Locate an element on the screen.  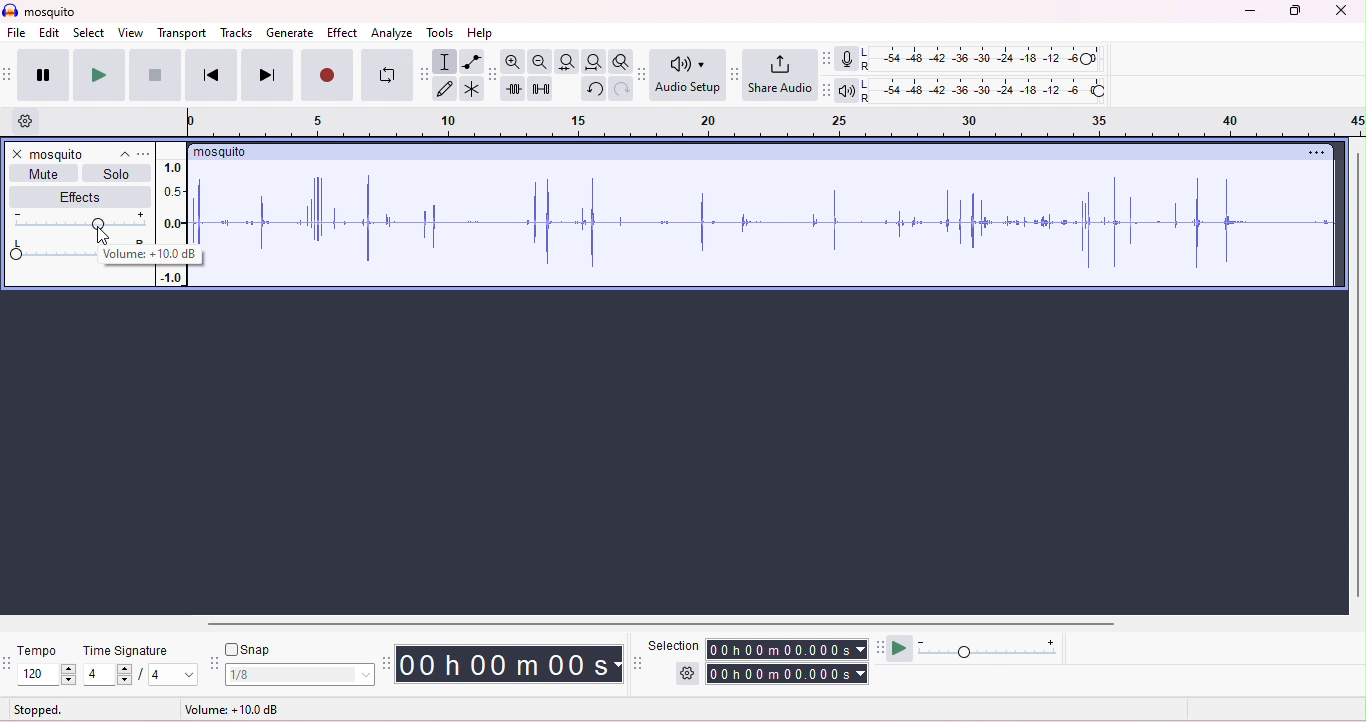
edit is located at coordinates (47, 32).